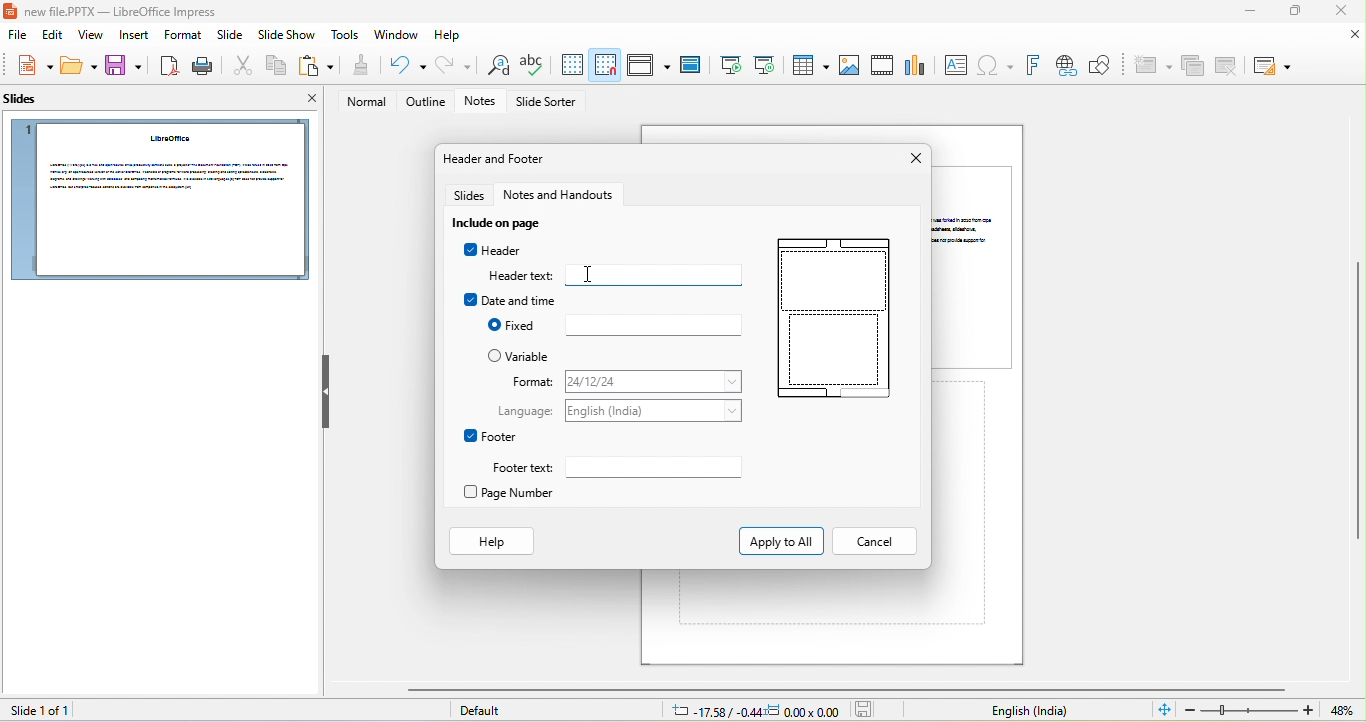 This screenshot has width=1366, height=722. What do you see at coordinates (1246, 13) in the screenshot?
I see `minimize` at bounding box center [1246, 13].